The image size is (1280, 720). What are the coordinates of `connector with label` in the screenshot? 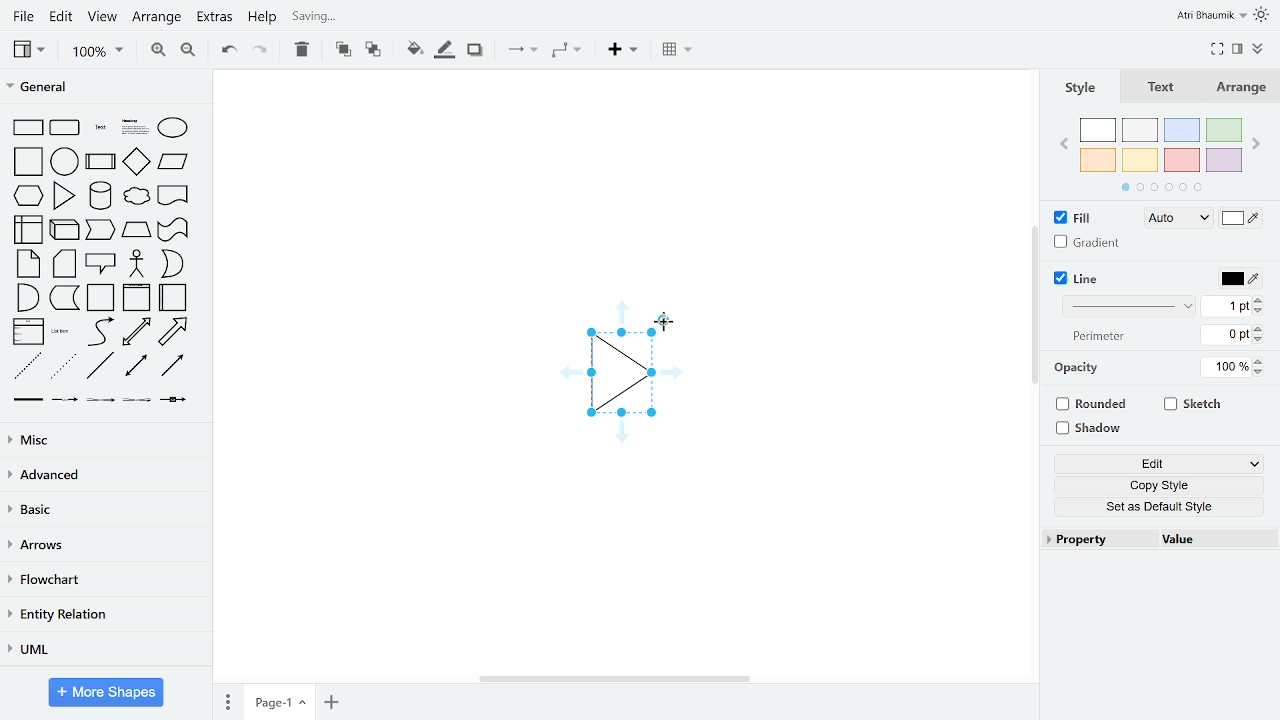 It's located at (63, 401).